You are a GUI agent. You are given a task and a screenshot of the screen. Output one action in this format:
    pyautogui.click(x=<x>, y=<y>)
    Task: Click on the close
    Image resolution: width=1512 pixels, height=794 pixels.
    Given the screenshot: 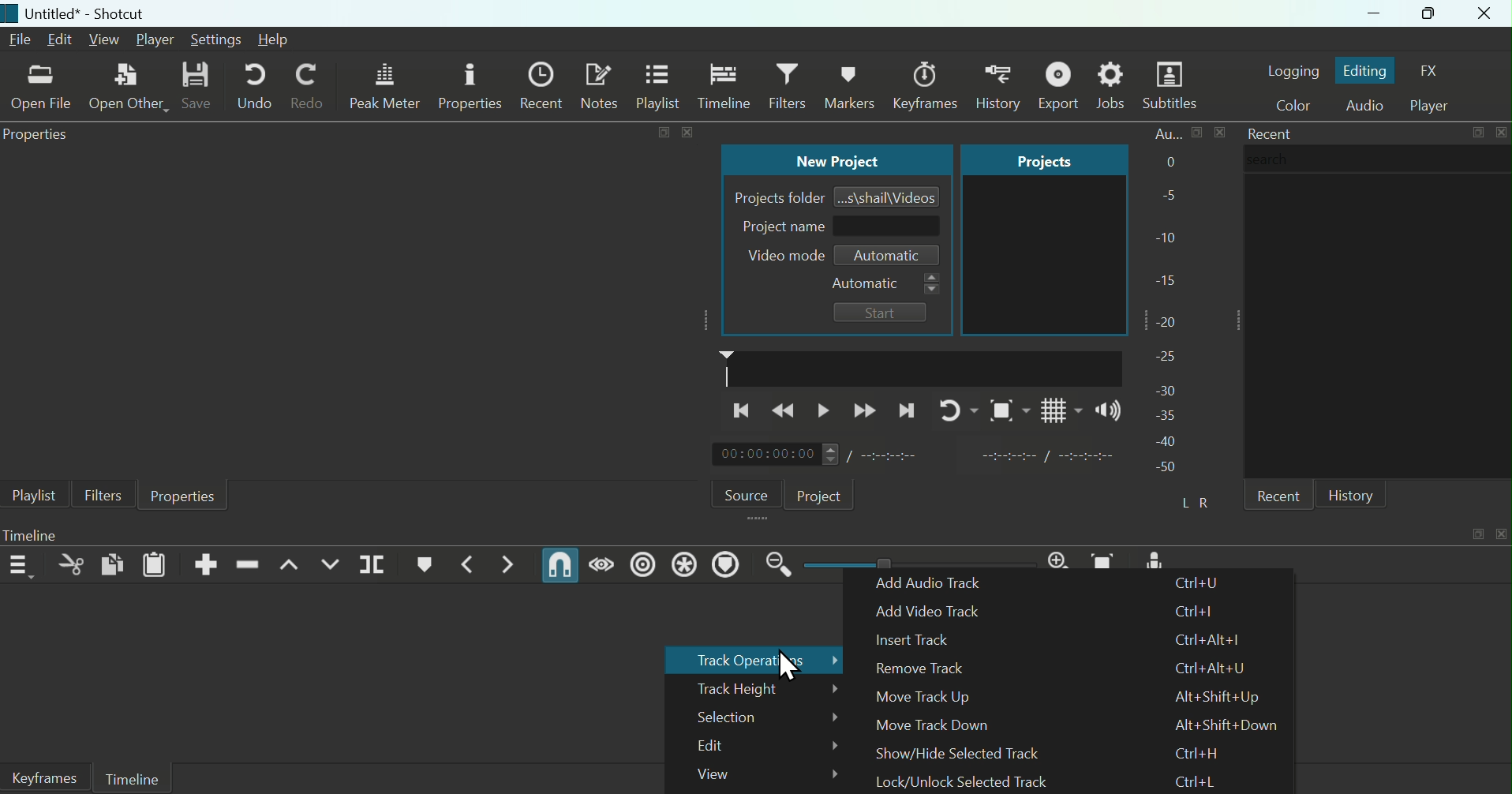 What is the action you would take?
    pyautogui.click(x=1500, y=132)
    